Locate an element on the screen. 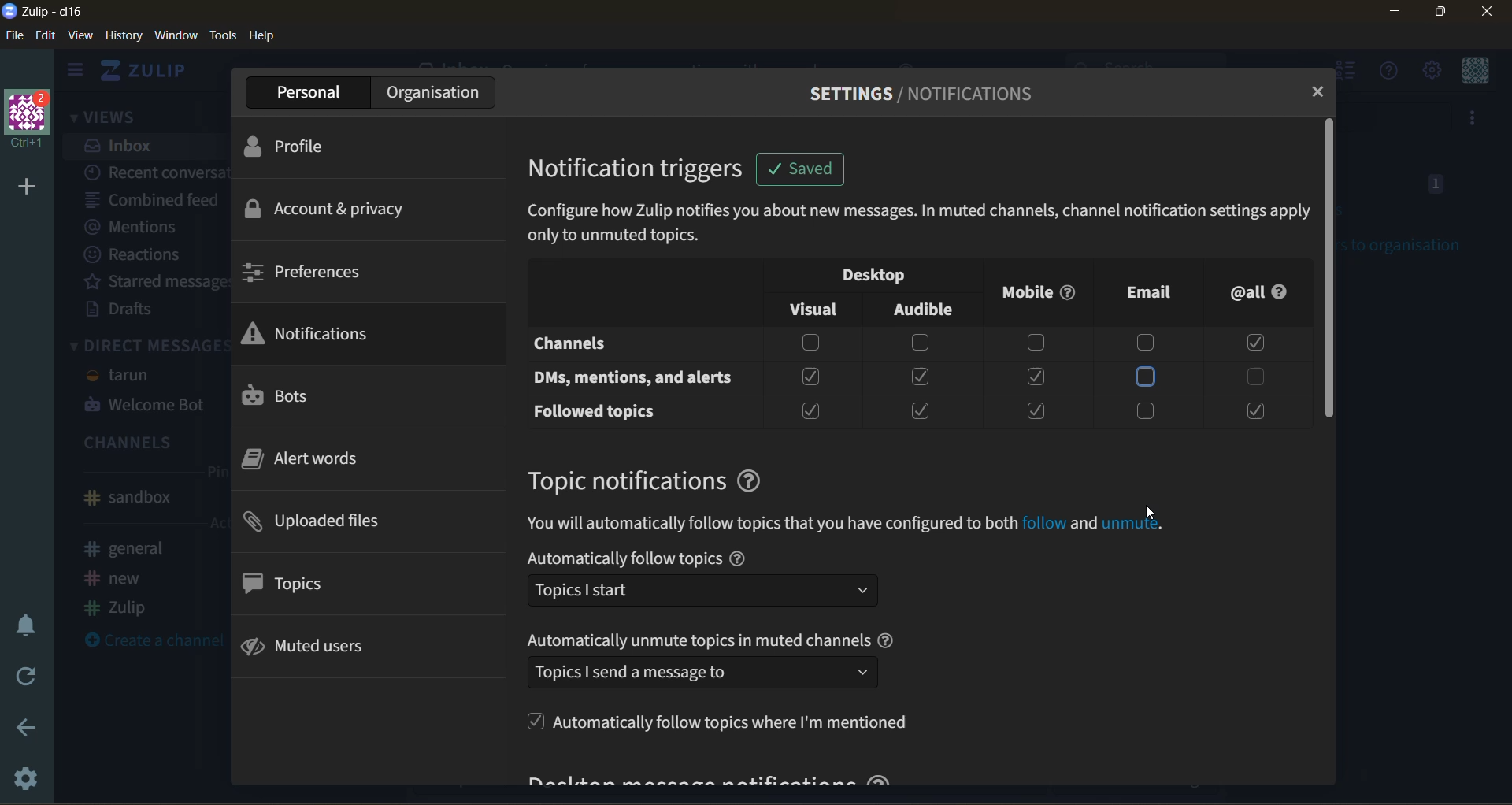 Image resolution: width=1512 pixels, height=805 pixels. checkbox is located at coordinates (1151, 410).